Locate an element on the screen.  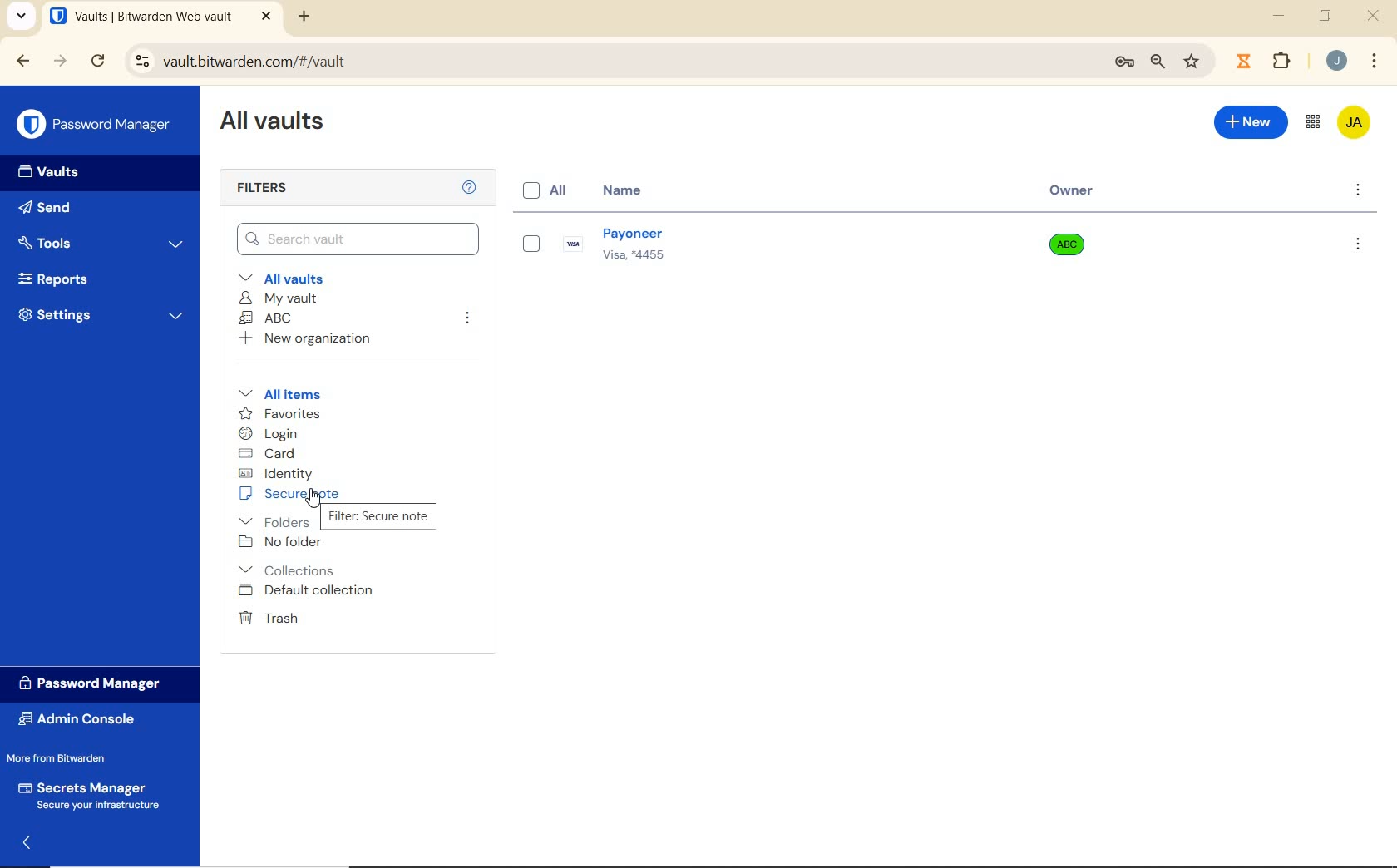
leave is located at coordinates (468, 321).